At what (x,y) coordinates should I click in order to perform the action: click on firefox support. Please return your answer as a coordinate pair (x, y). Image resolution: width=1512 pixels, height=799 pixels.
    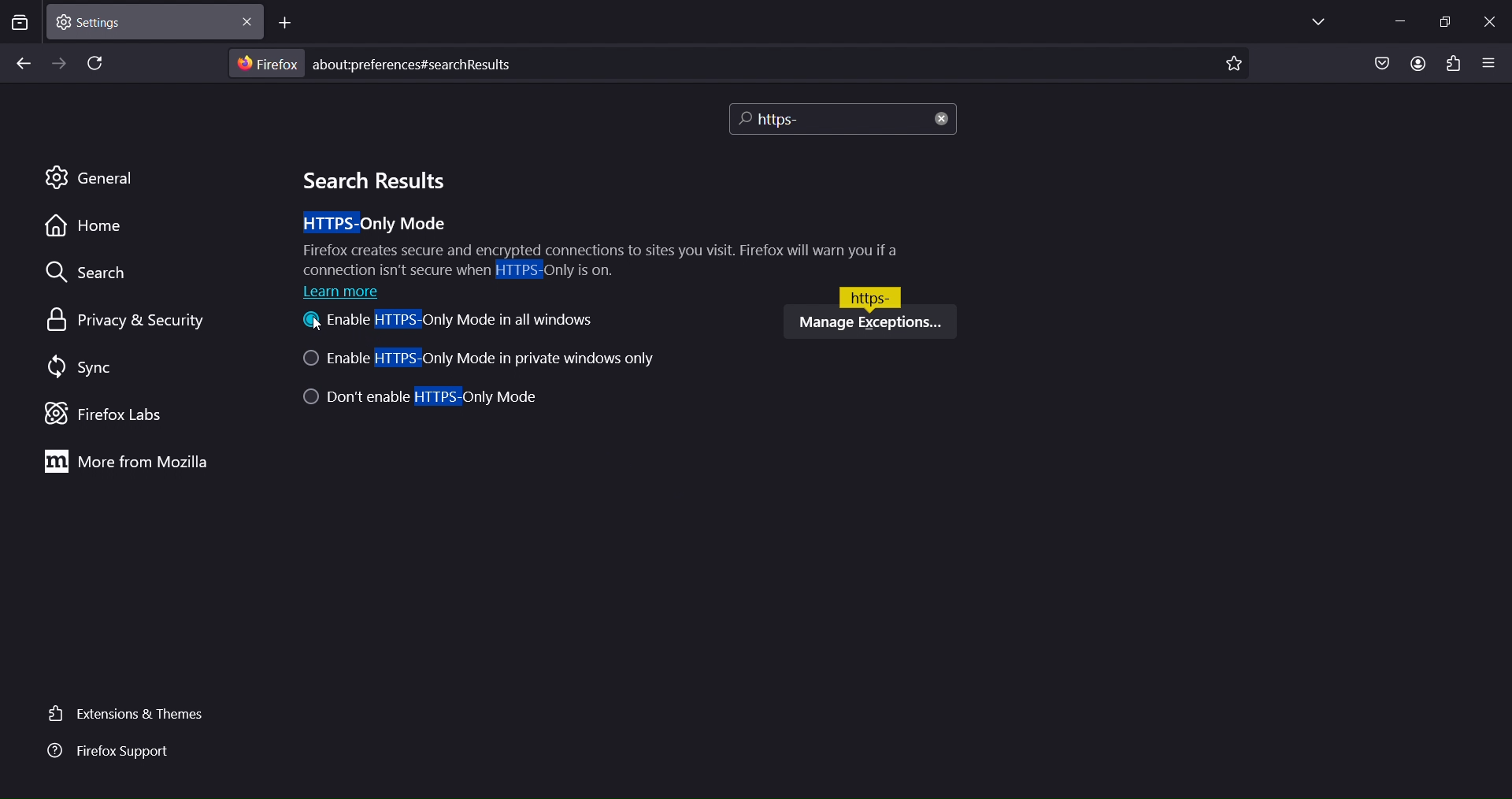
    Looking at the image, I should click on (120, 755).